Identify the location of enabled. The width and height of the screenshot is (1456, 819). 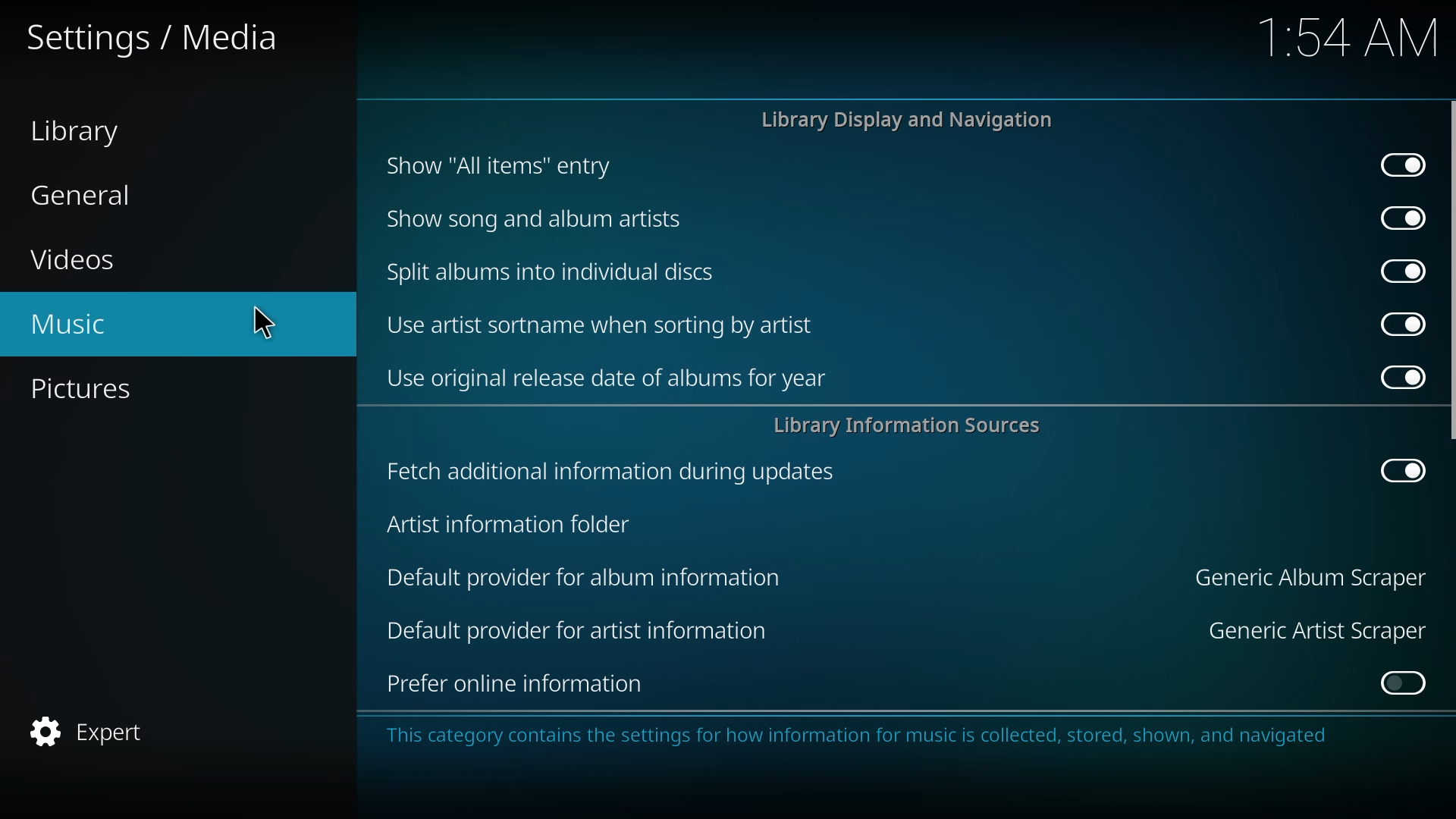
(1397, 469).